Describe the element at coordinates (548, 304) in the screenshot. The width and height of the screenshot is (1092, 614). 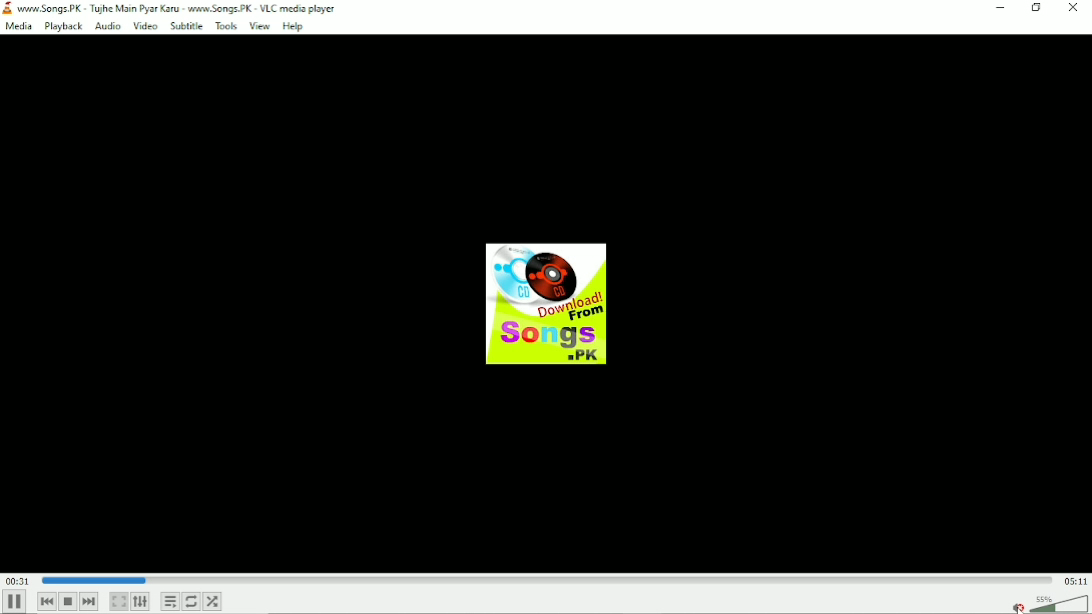
I see `Audio track image` at that location.